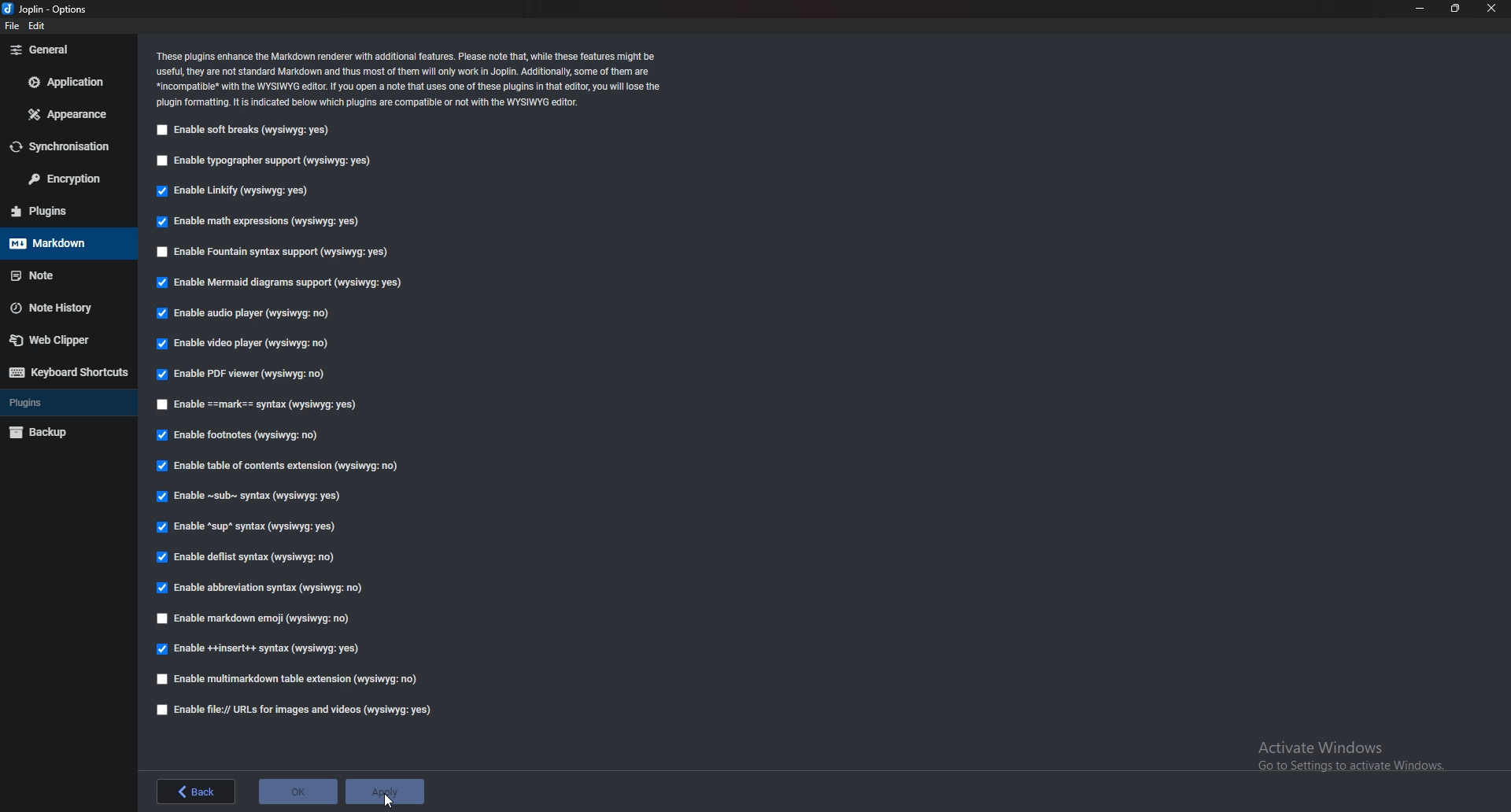 The image size is (1511, 812). What do you see at coordinates (68, 49) in the screenshot?
I see `general` at bounding box center [68, 49].